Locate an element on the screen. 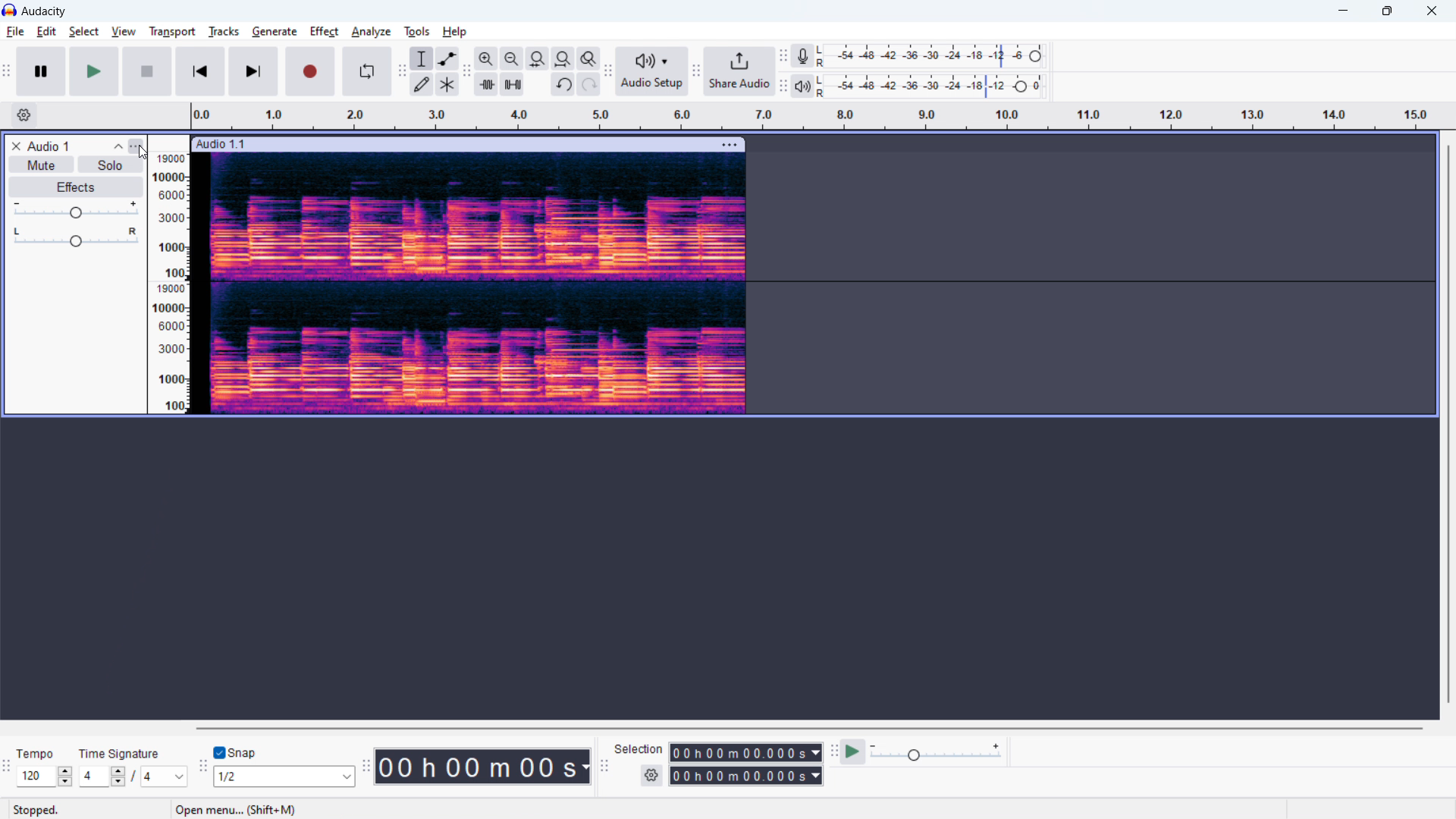  solo is located at coordinates (110, 165).